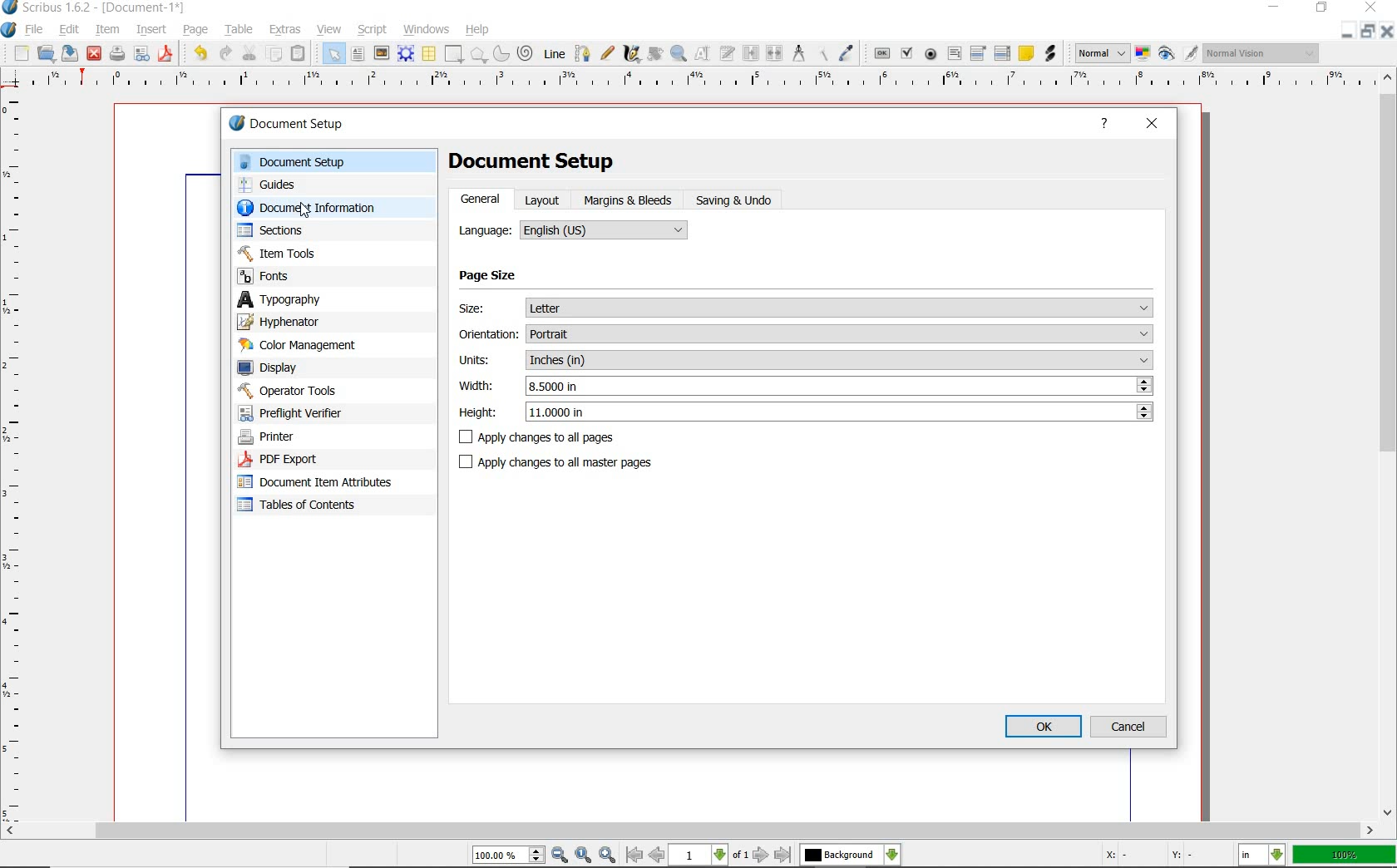 The width and height of the screenshot is (1397, 868). What do you see at coordinates (454, 53) in the screenshot?
I see `shape` at bounding box center [454, 53].